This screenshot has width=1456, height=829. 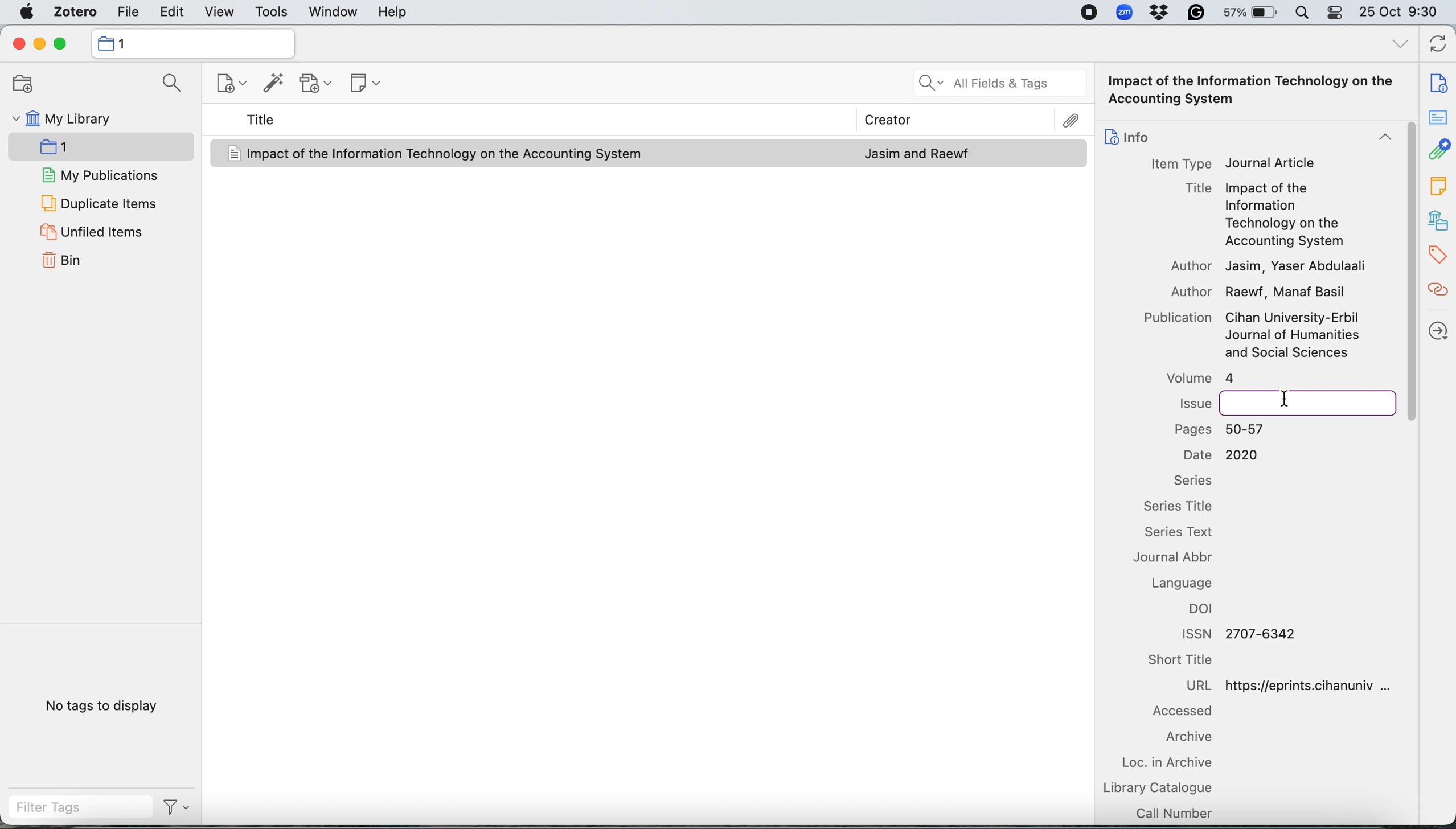 I want to click on related, so click(x=1437, y=294).